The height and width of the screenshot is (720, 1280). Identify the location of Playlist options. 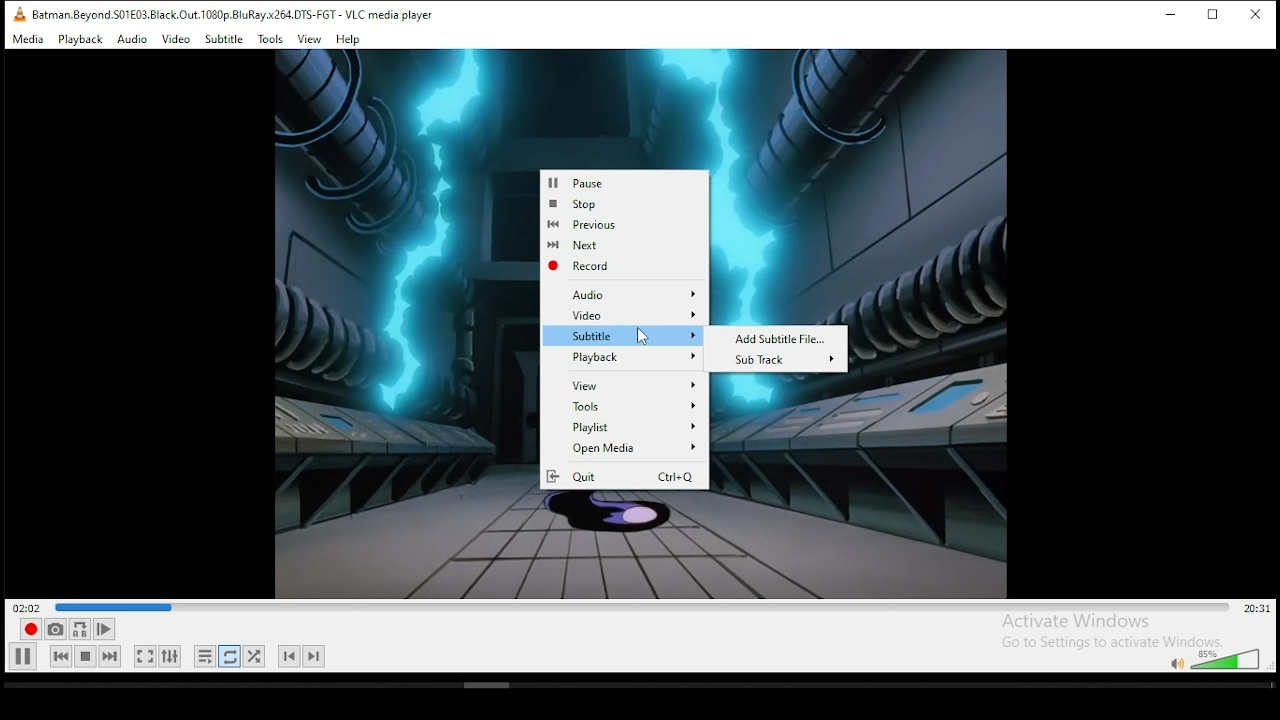
(625, 426).